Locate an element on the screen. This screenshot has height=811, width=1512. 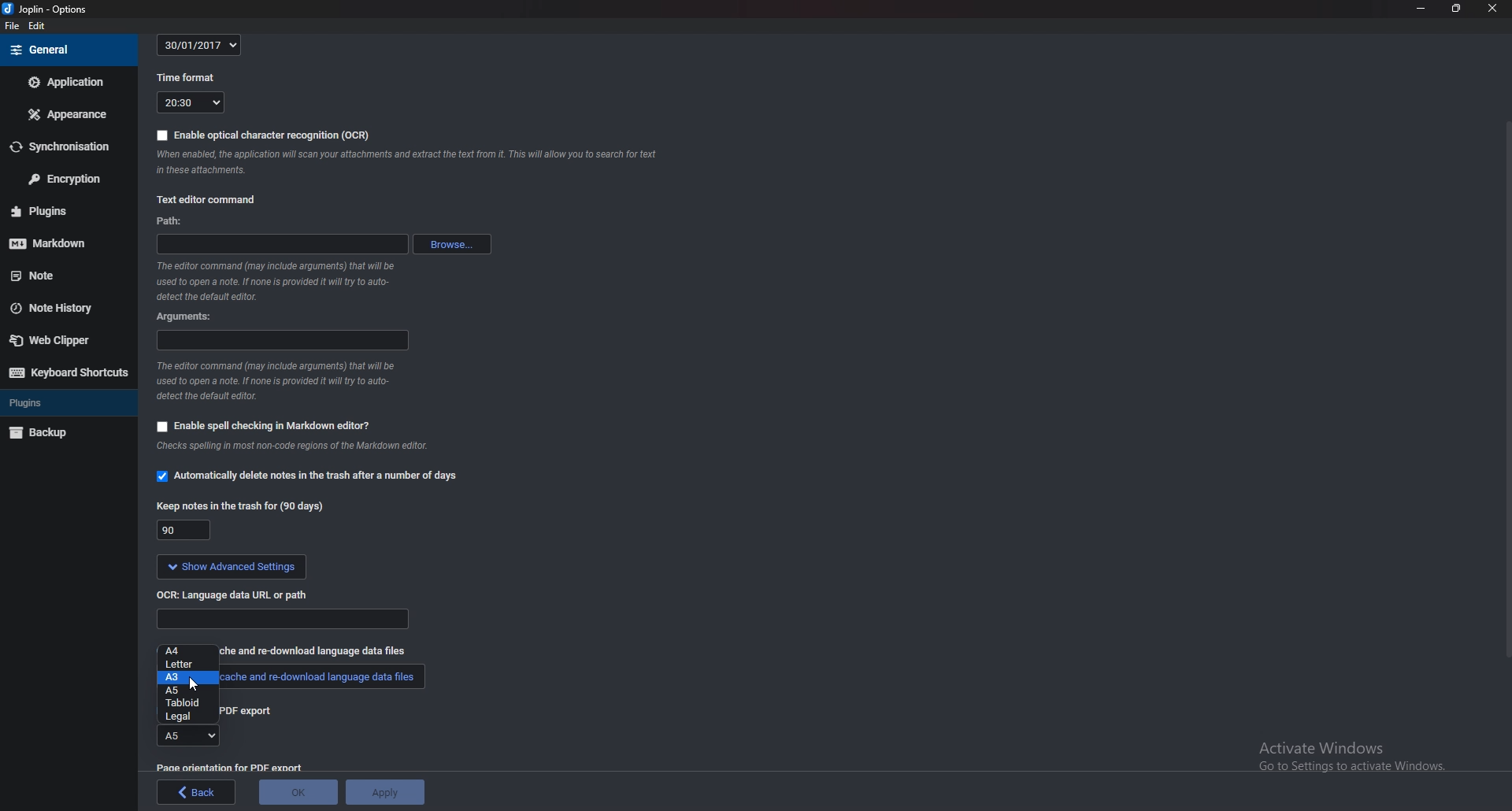
Info on editor command is located at coordinates (279, 381).